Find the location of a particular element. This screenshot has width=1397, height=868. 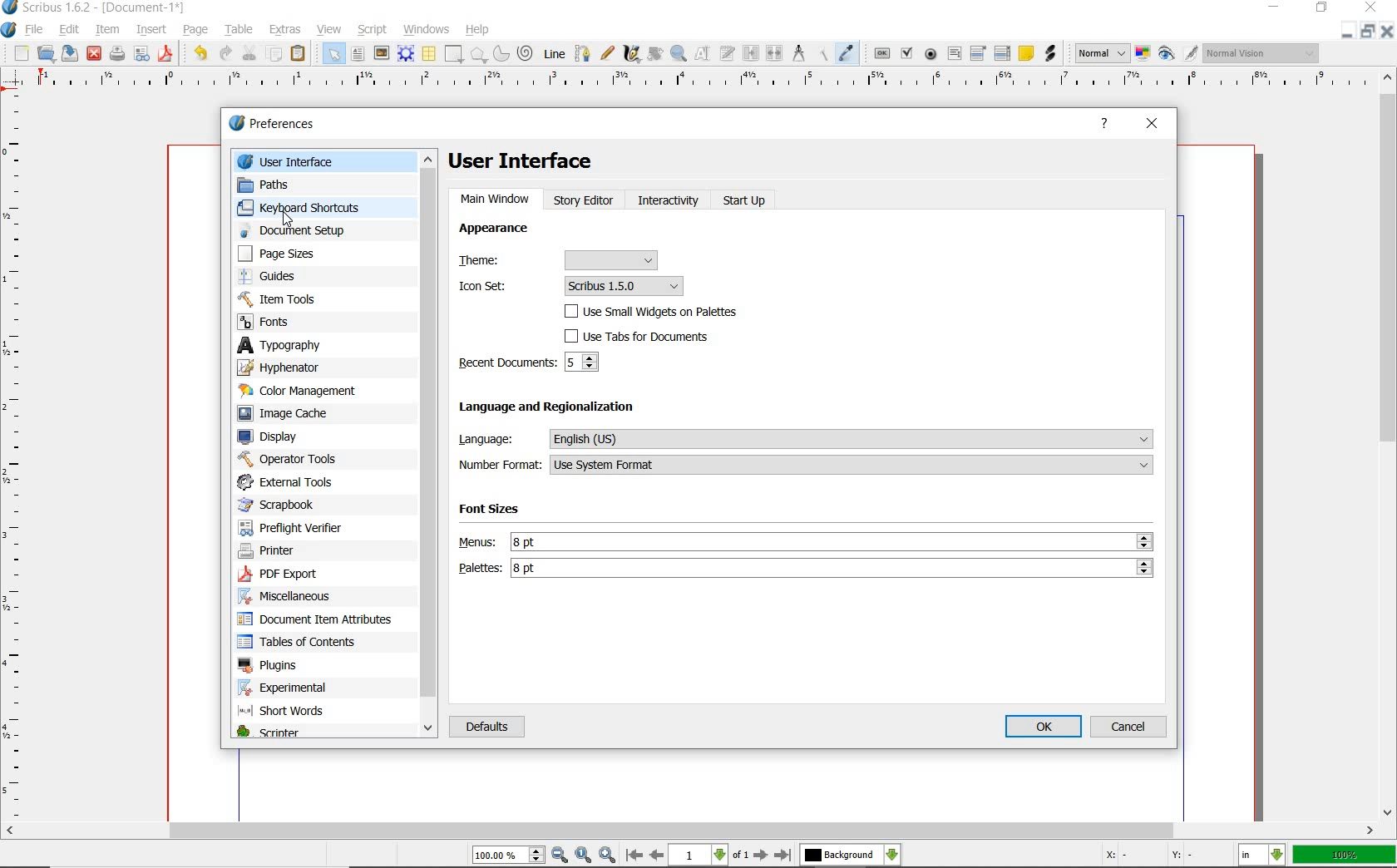

save is located at coordinates (67, 53).